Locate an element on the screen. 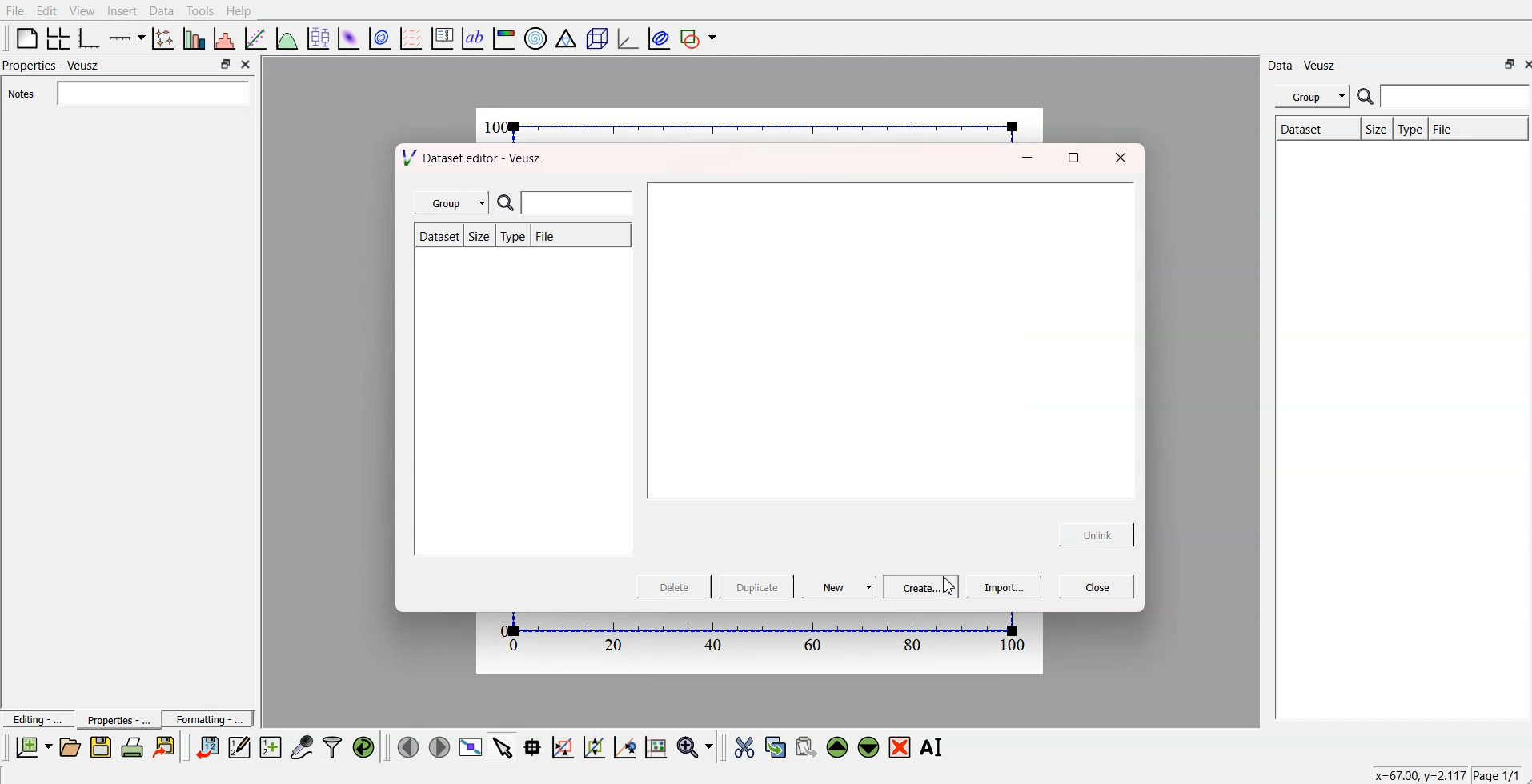 Image resolution: width=1532 pixels, height=784 pixels. Search bar is located at coordinates (1457, 97).